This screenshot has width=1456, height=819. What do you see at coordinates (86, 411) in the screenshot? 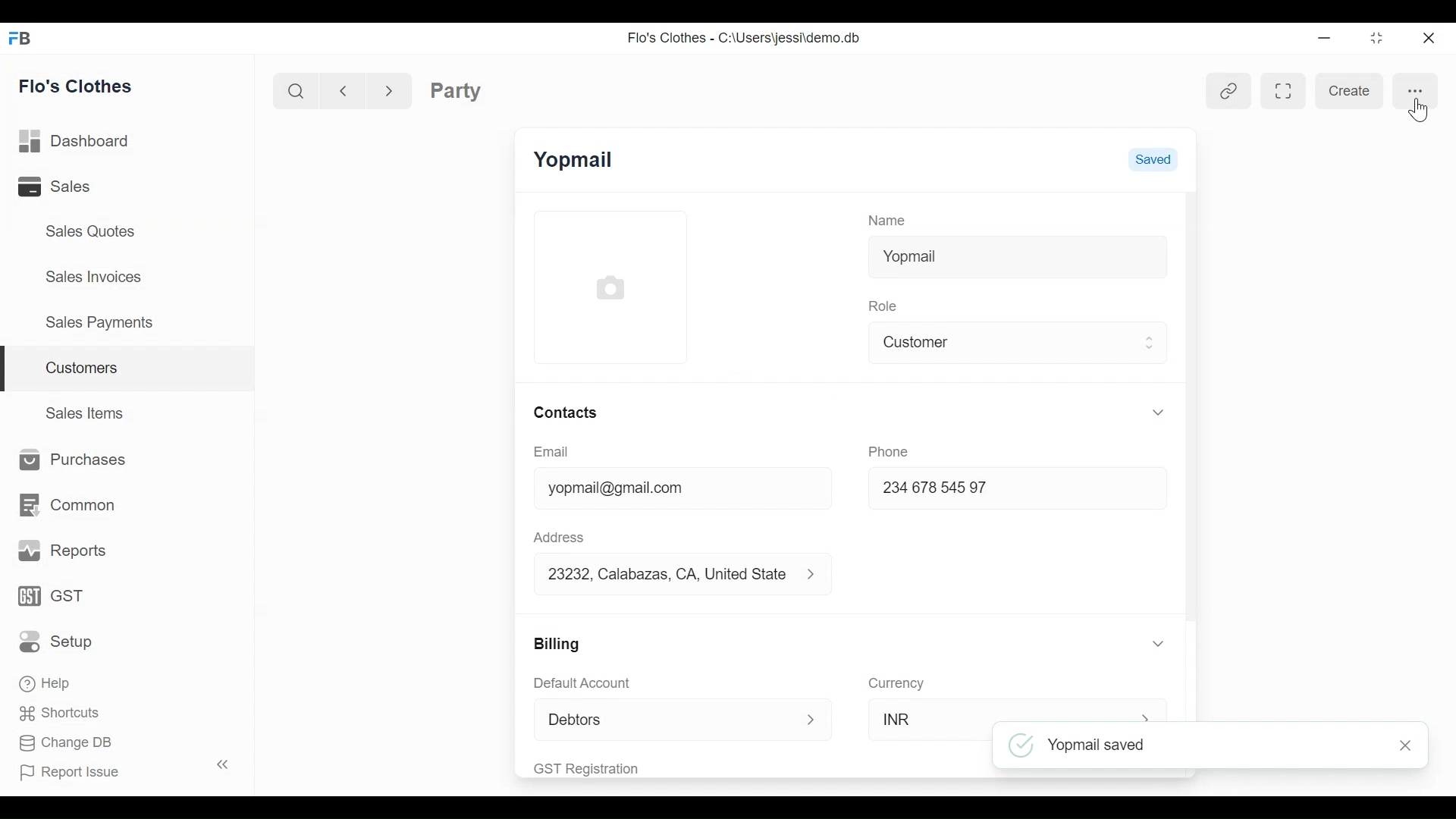
I see `Sales Items` at bounding box center [86, 411].